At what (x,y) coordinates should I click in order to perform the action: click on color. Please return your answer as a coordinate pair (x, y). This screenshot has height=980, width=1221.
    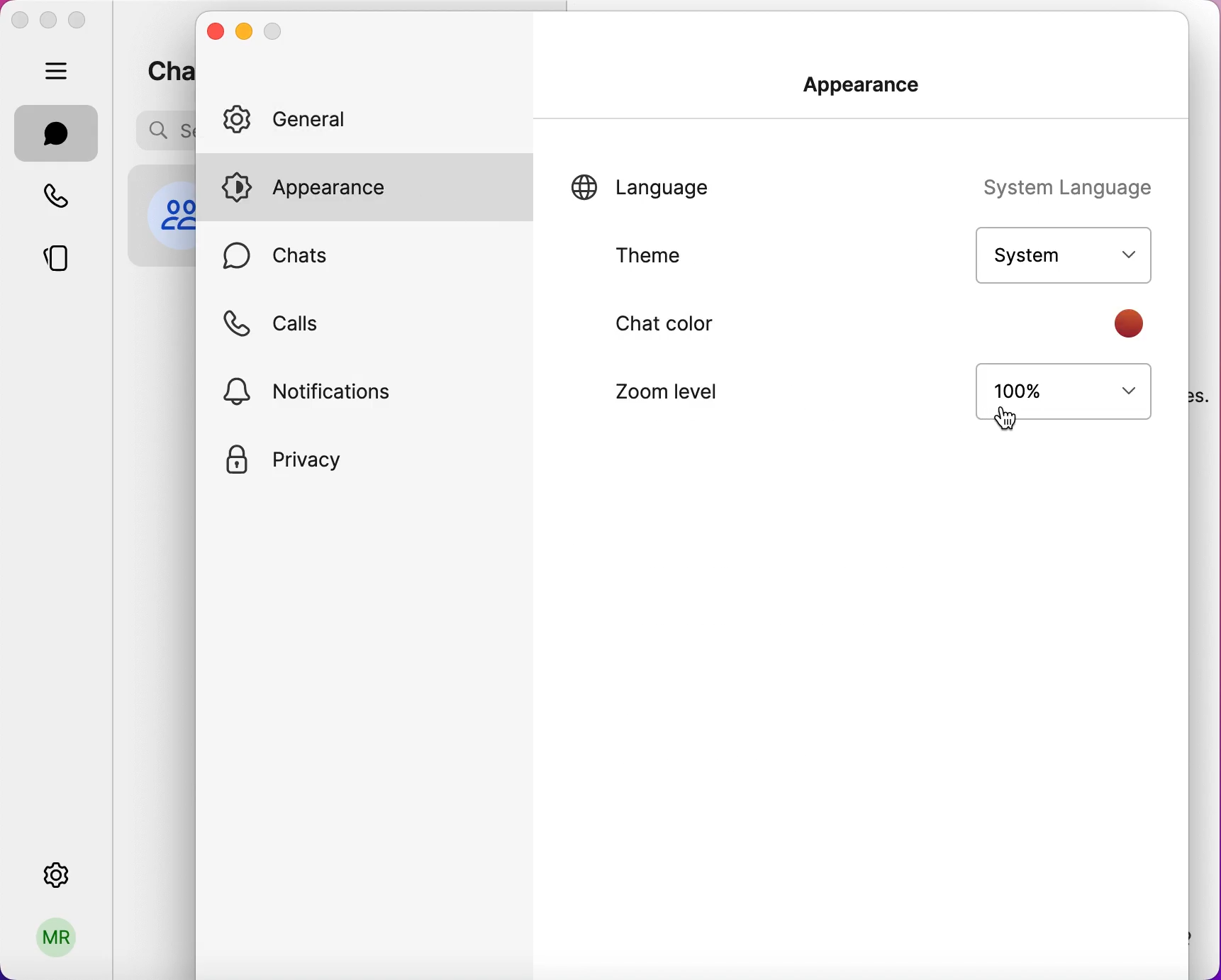
    Looking at the image, I should click on (1128, 323).